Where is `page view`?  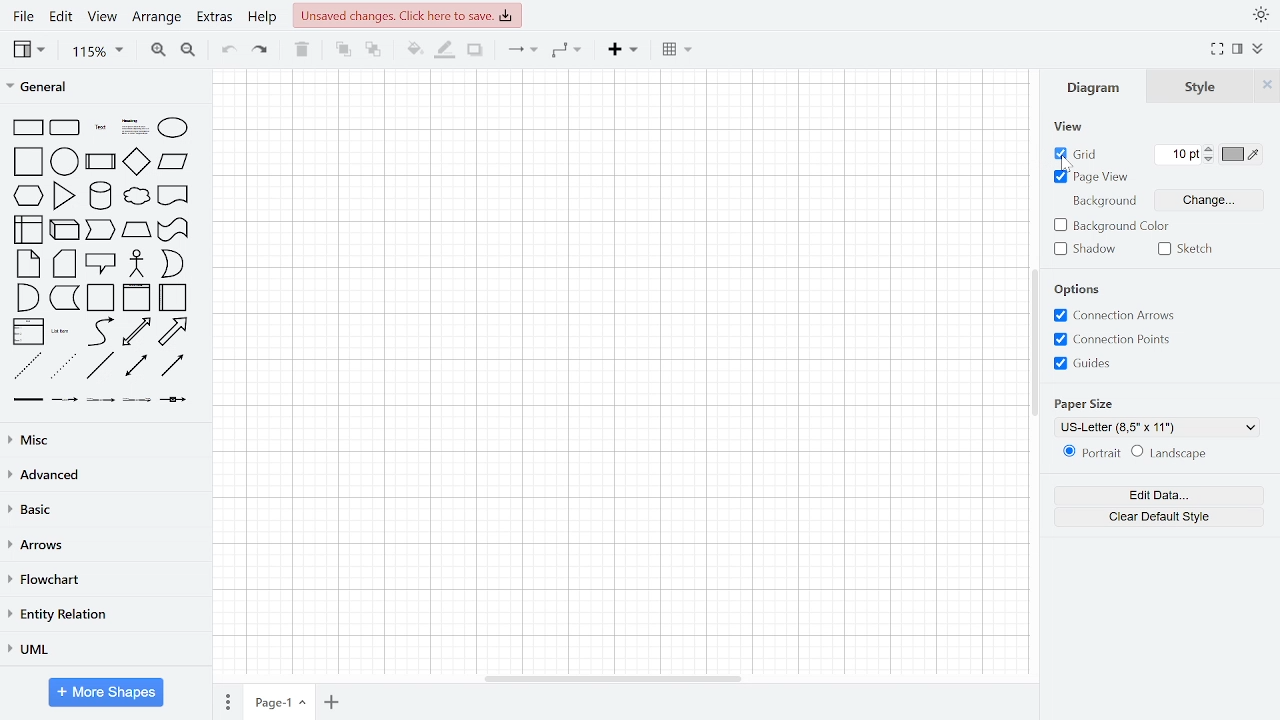
page view is located at coordinates (1094, 177).